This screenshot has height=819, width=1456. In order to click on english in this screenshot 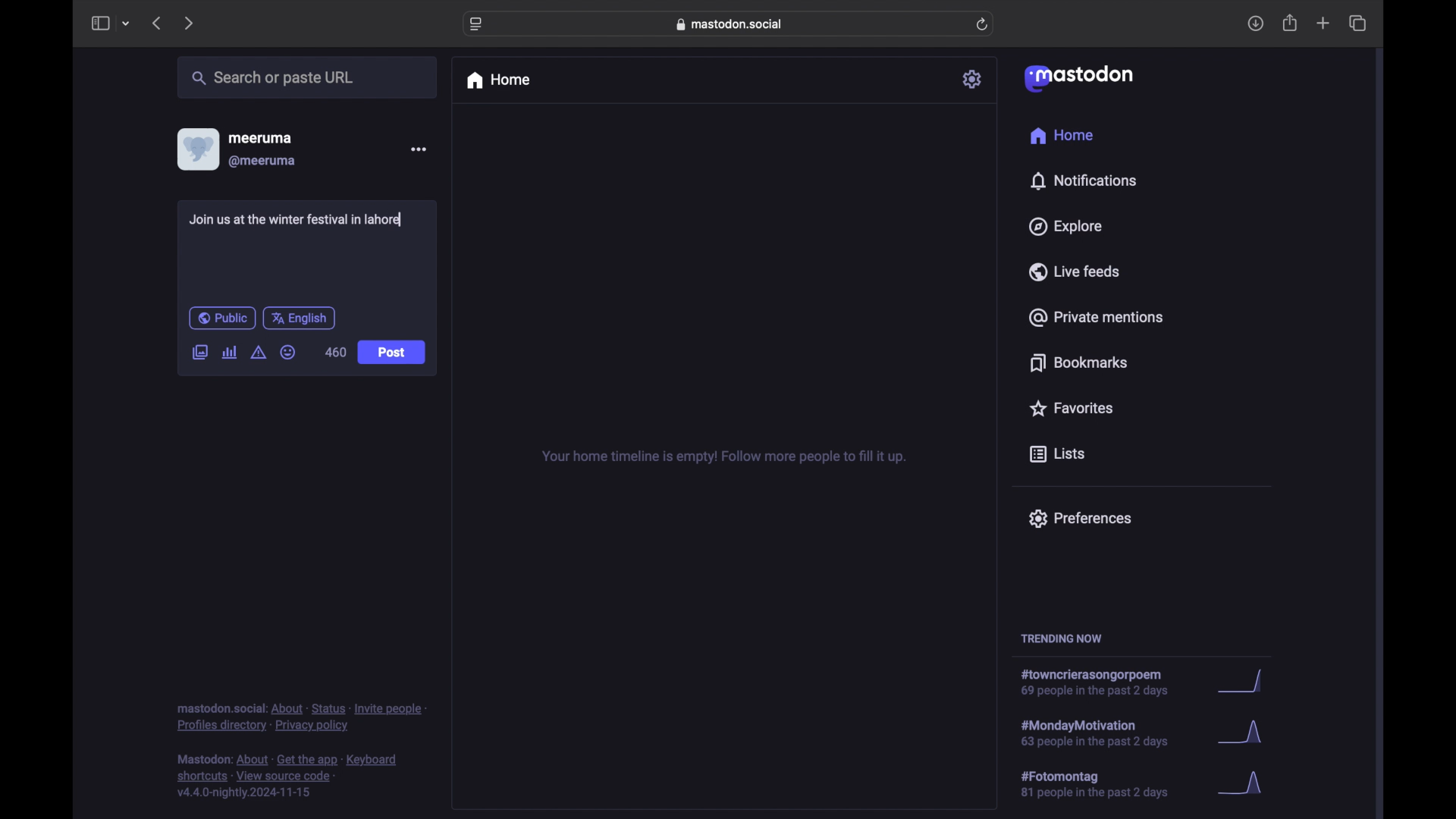, I will do `click(300, 318)`.